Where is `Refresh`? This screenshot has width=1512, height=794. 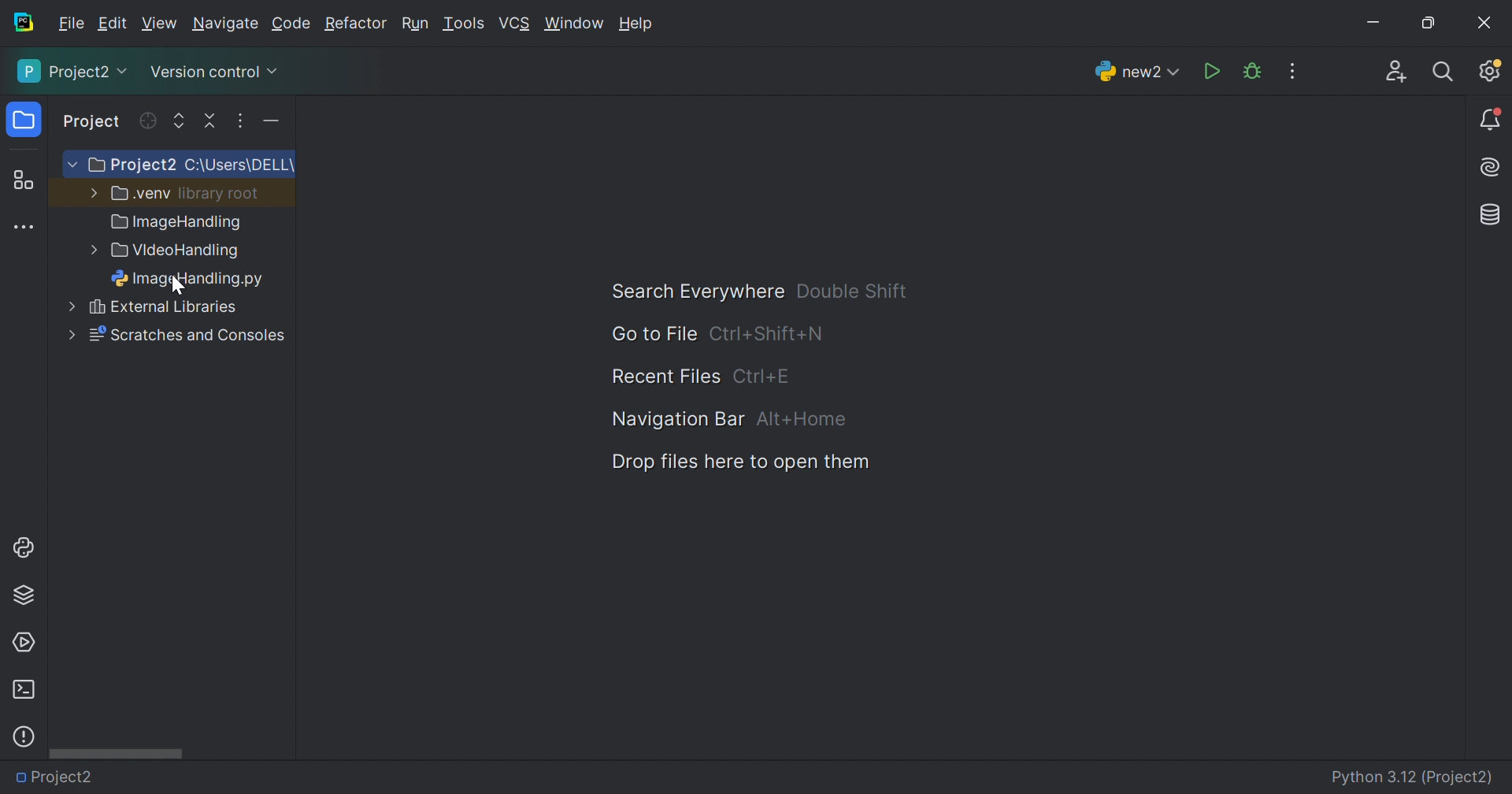
Refresh is located at coordinates (146, 121).